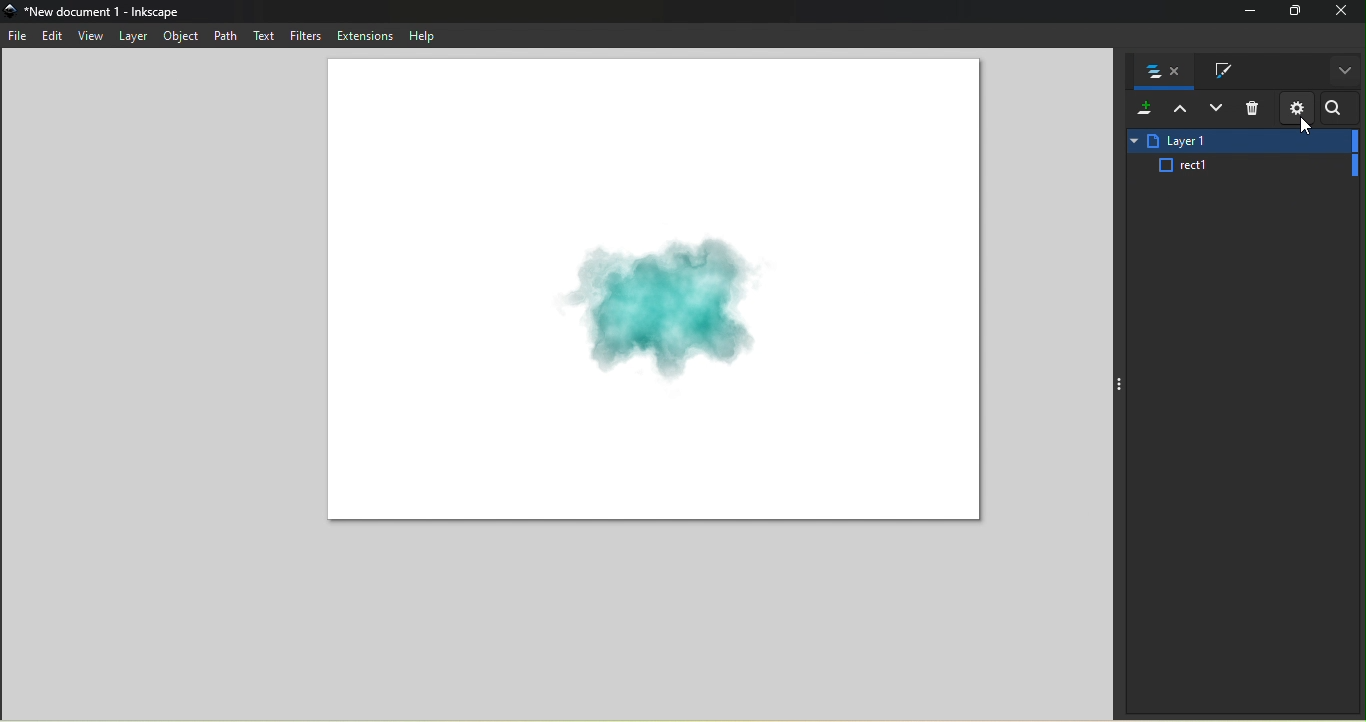 This screenshot has width=1366, height=722. I want to click on Add new layer, so click(1142, 110).